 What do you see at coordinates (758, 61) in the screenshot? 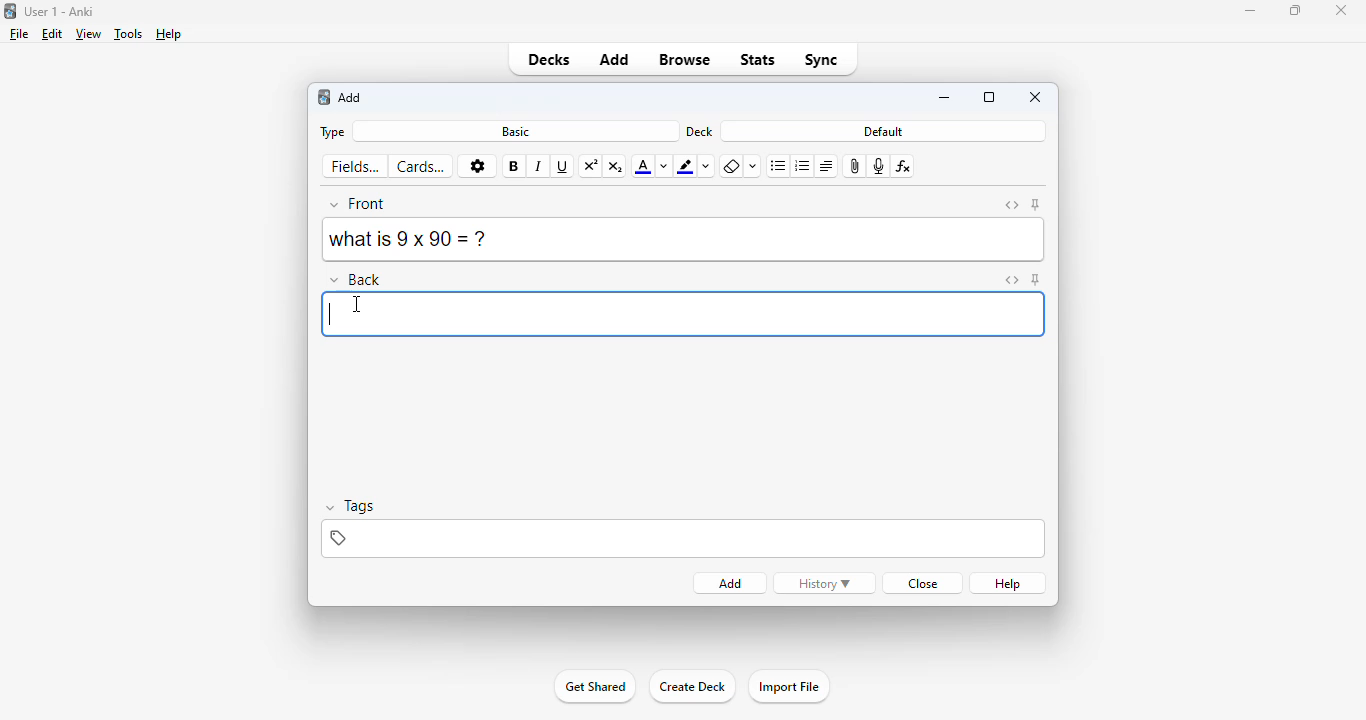
I see `stats` at bounding box center [758, 61].